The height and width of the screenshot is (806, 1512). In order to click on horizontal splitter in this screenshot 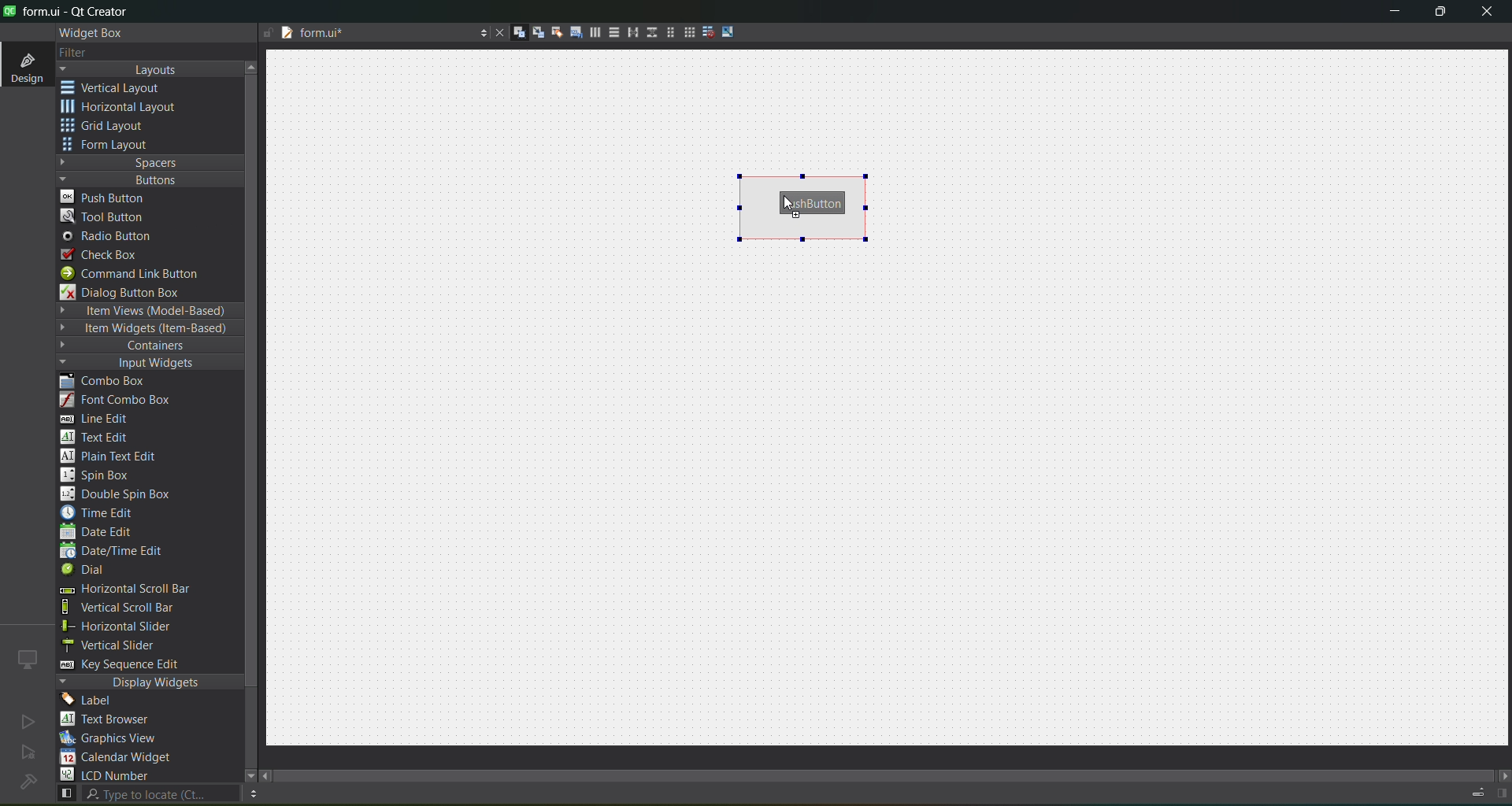, I will do `click(628, 33)`.